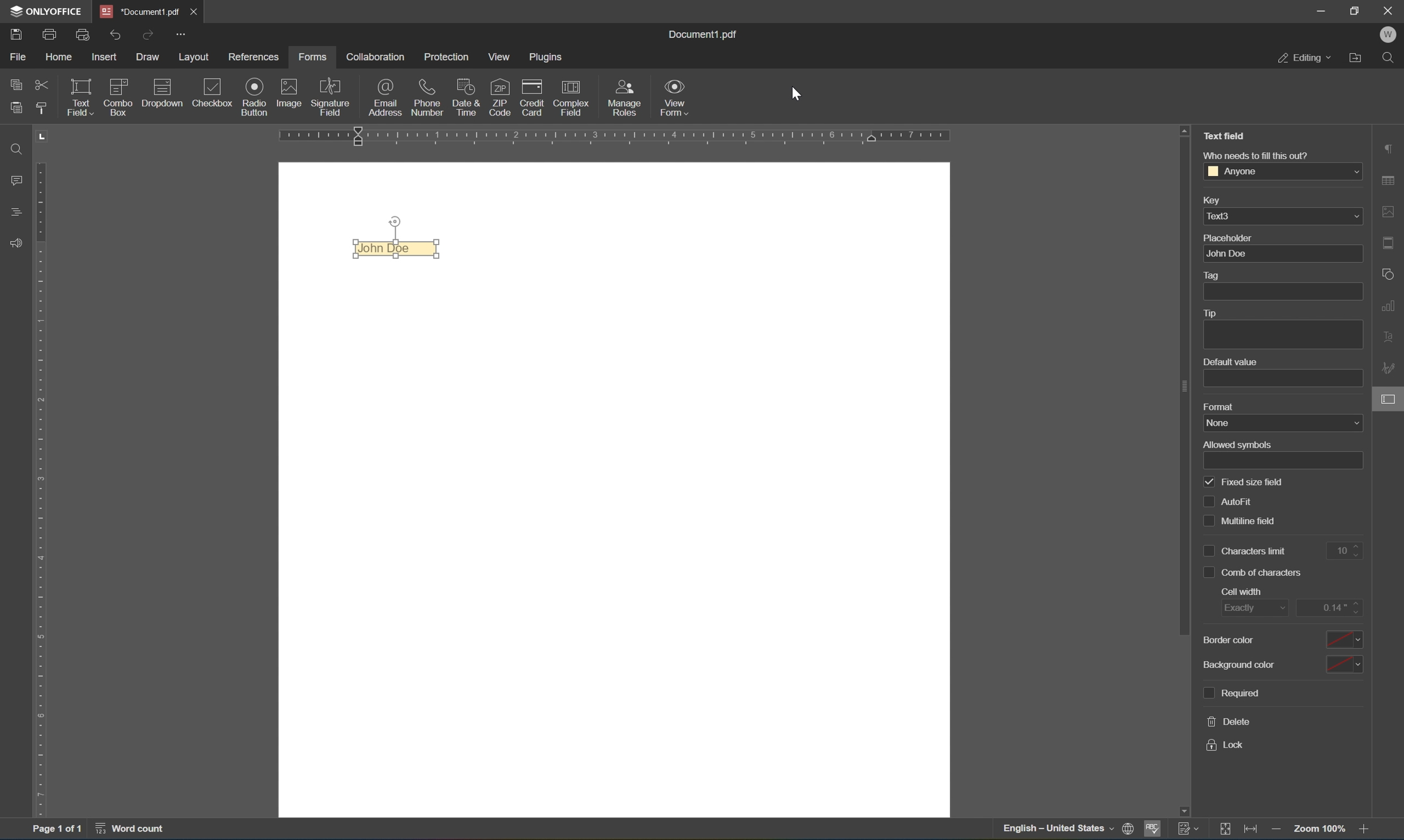 Image resolution: width=1404 pixels, height=840 pixels. I want to click on ——
English — United States, so click(1046, 831).